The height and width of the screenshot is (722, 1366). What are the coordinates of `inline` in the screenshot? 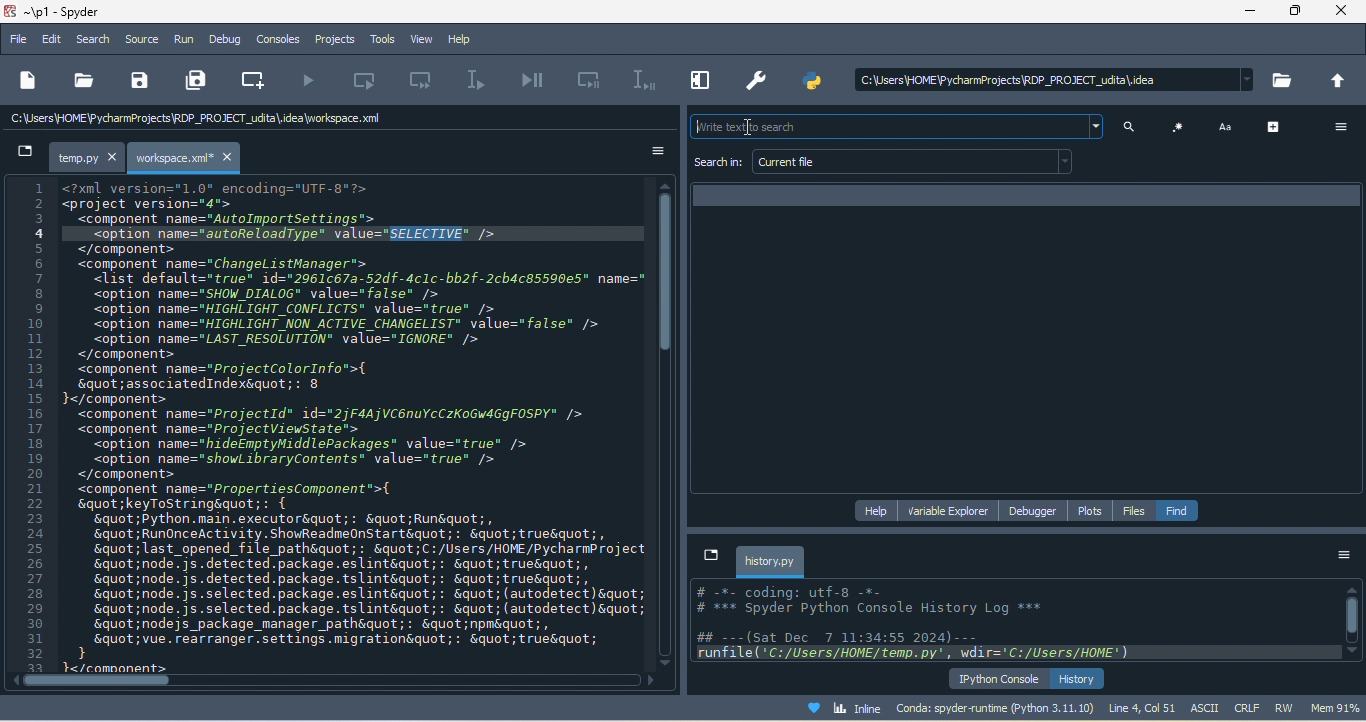 It's located at (835, 706).